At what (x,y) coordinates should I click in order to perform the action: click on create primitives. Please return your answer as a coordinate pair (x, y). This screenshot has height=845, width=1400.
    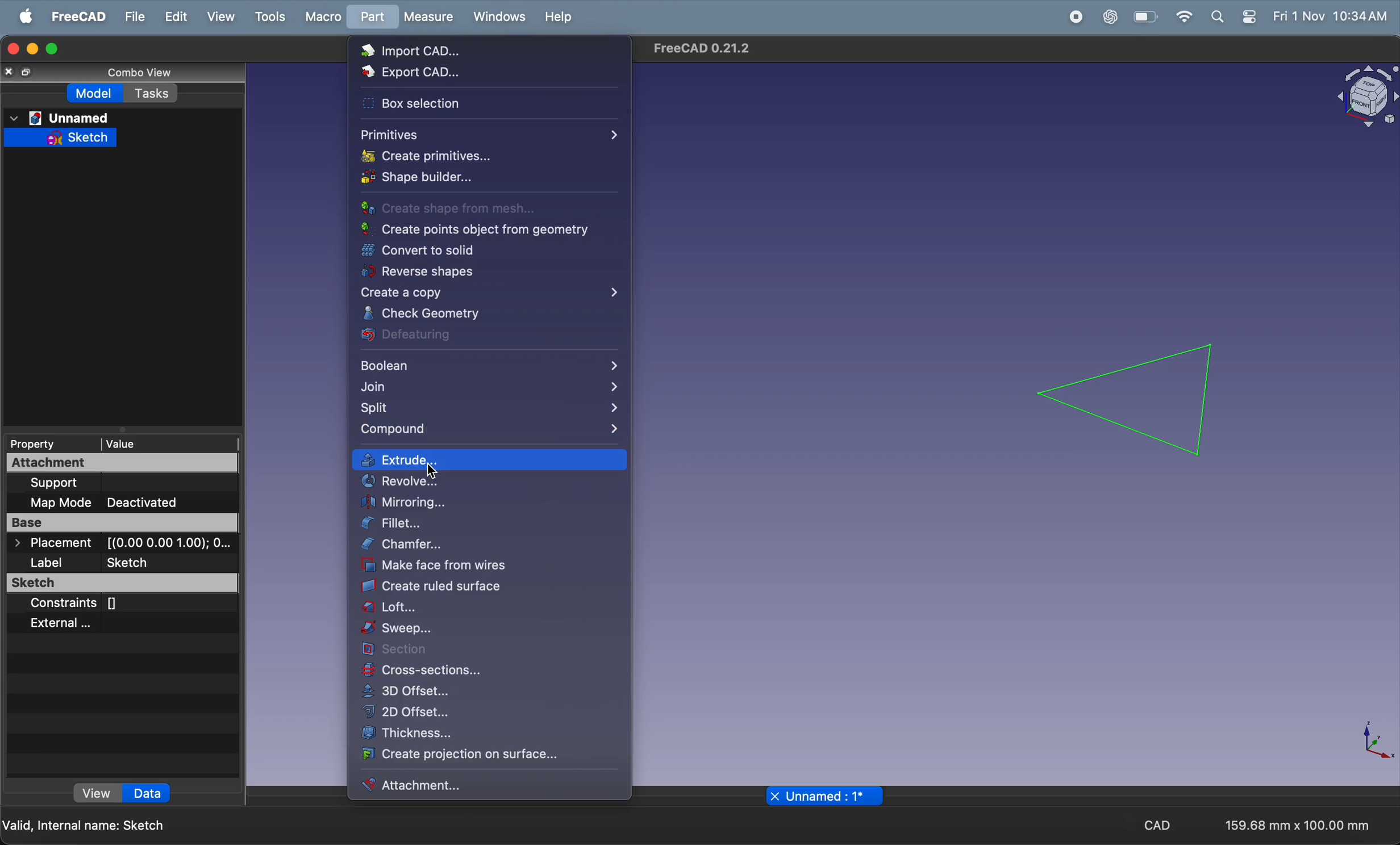
    Looking at the image, I should click on (456, 158).